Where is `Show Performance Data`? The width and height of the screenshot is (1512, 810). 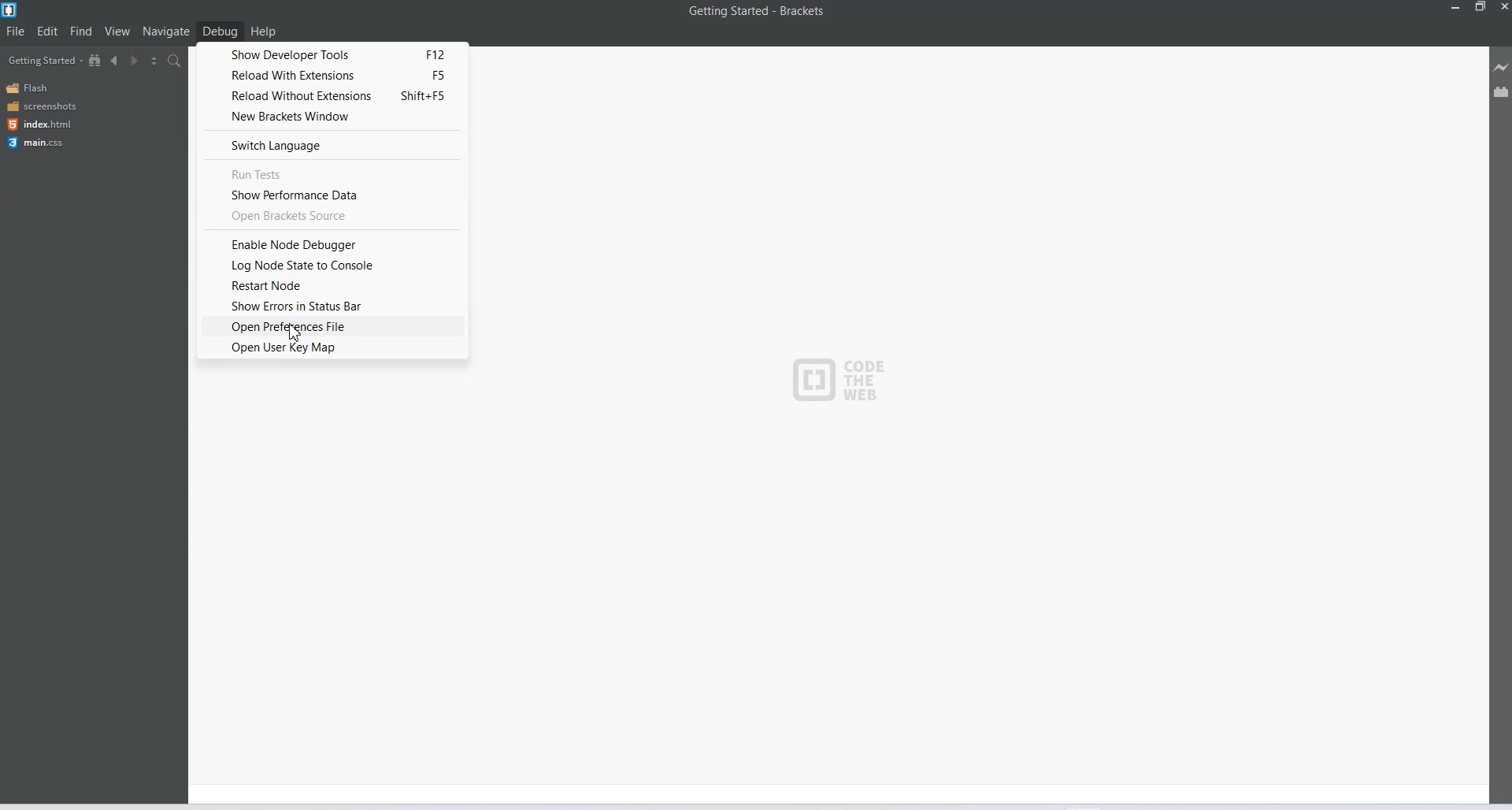 Show Performance Data is located at coordinates (337, 194).